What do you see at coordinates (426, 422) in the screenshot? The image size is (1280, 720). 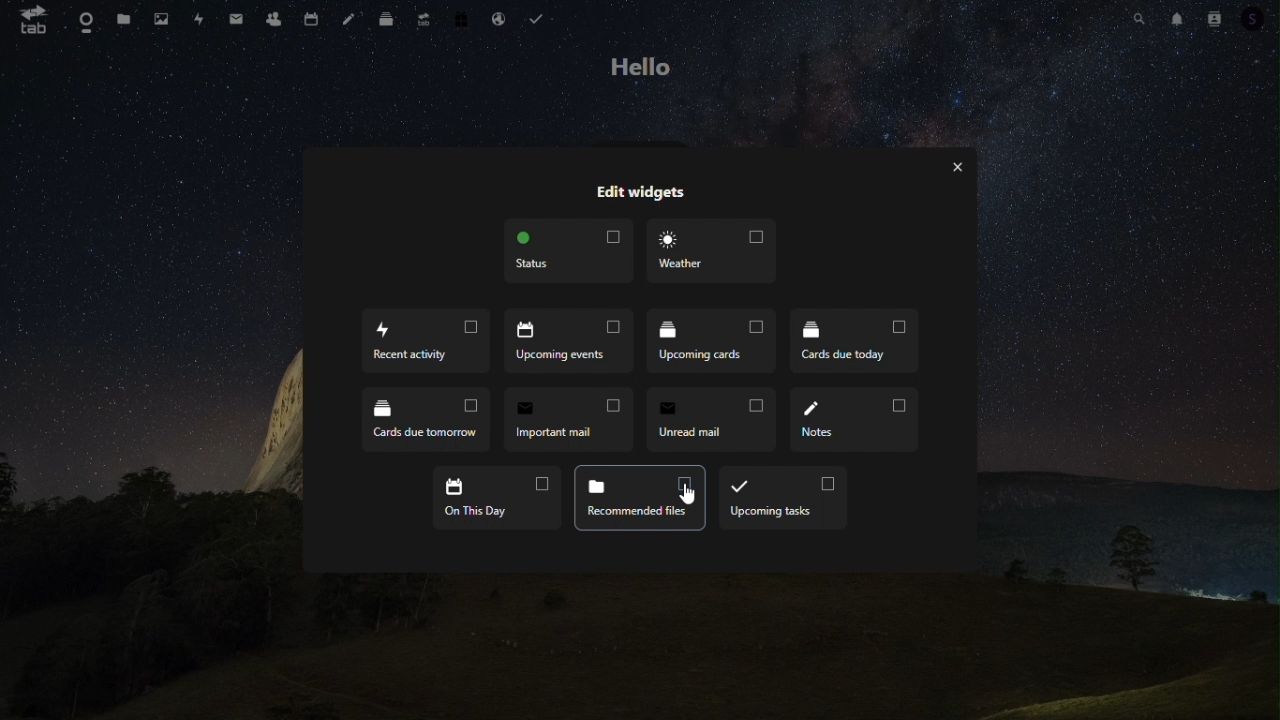 I see `cards due tomorrow` at bounding box center [426, 422].